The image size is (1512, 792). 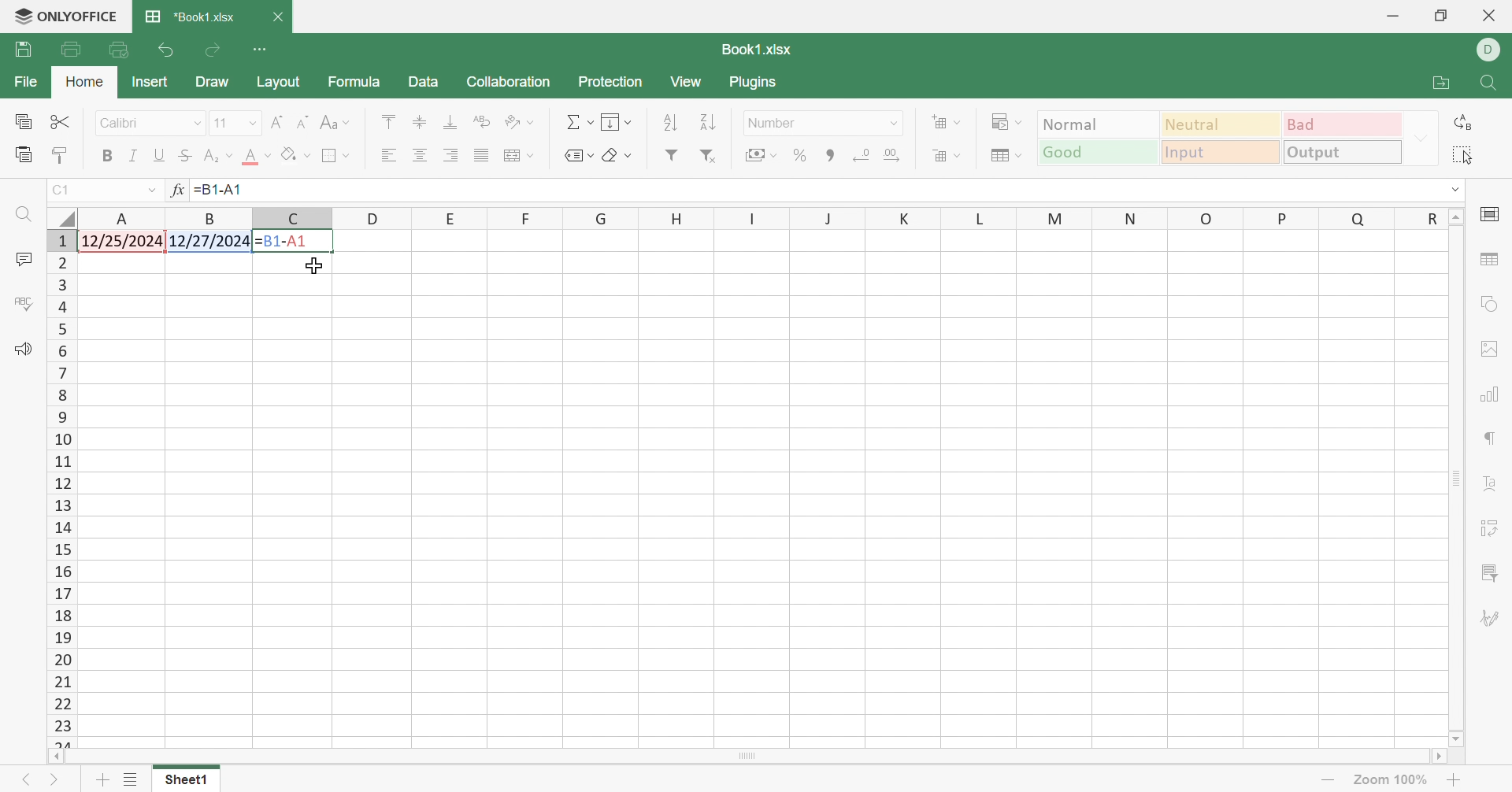 What do you see at coordinates (1466, 123) in the screenshot?
I see `Replace` at bounding box center [1466, 123].